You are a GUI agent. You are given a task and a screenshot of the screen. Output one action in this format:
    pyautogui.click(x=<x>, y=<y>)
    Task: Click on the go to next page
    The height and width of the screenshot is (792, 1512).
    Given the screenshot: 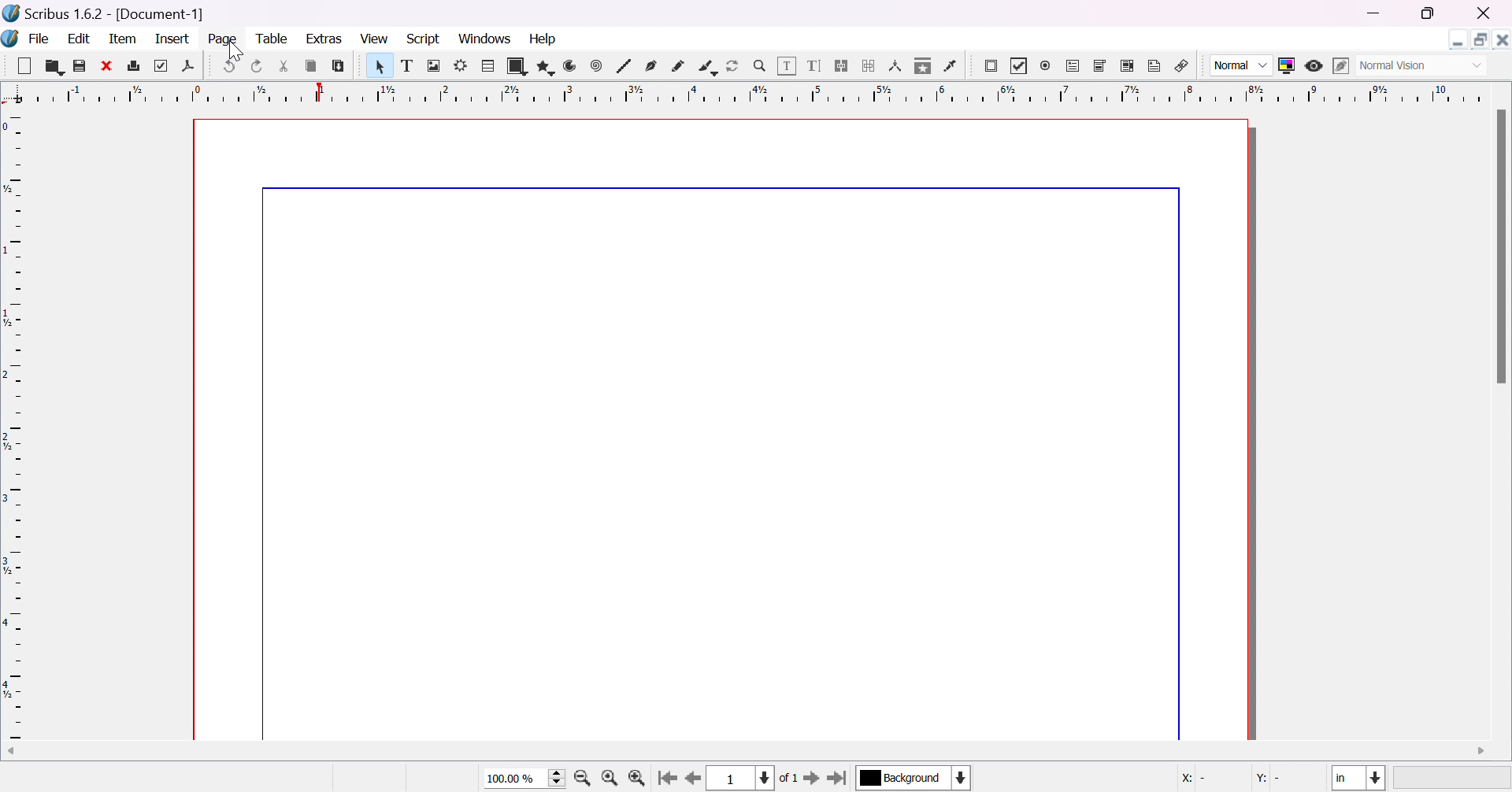 What is the action you would take?
    pyautogui.click(x=812, y=779)
    